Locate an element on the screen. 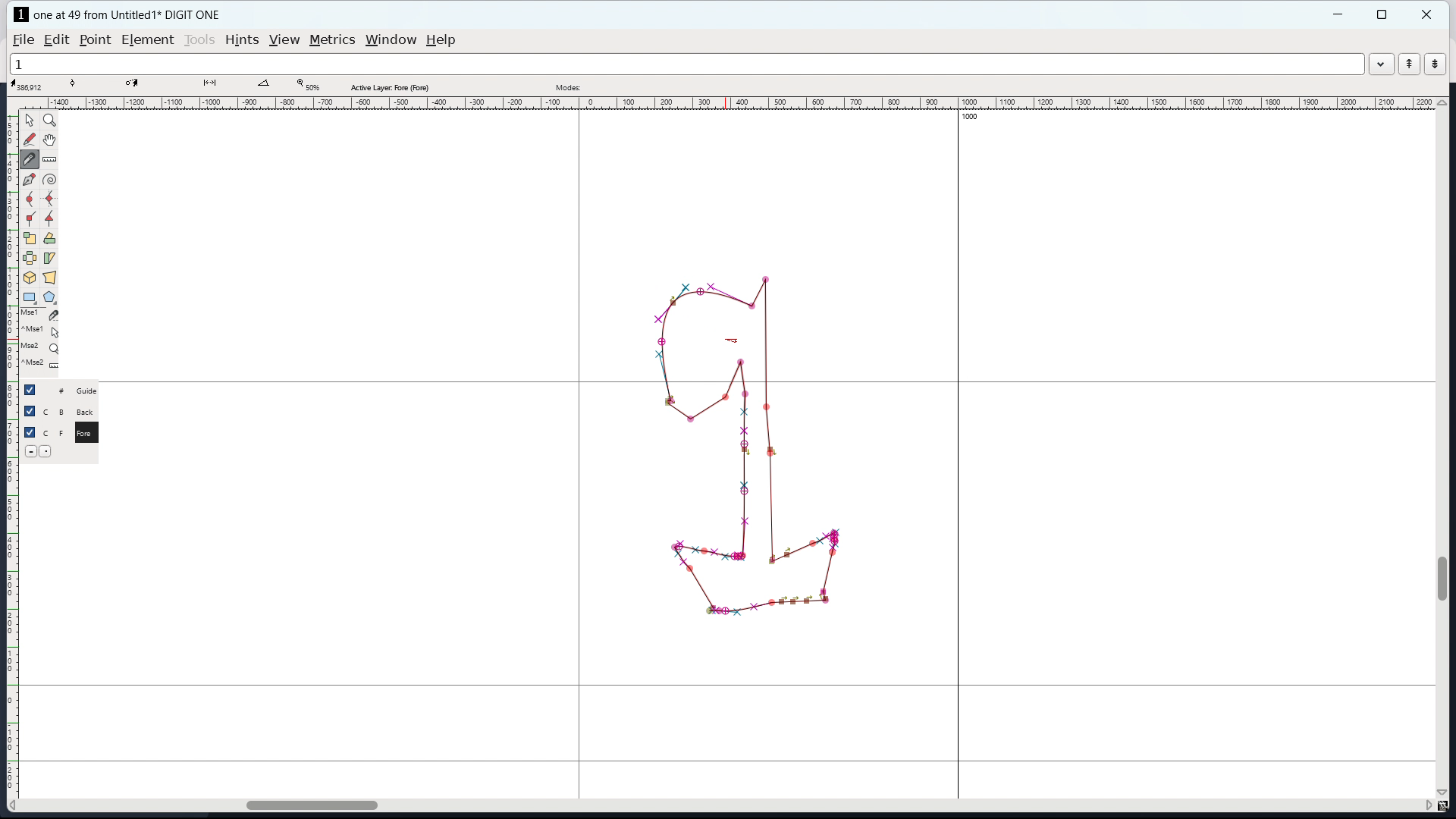 This screenshot has width=1456, height=819. cut splines in two is located at coordinates (32, 161).